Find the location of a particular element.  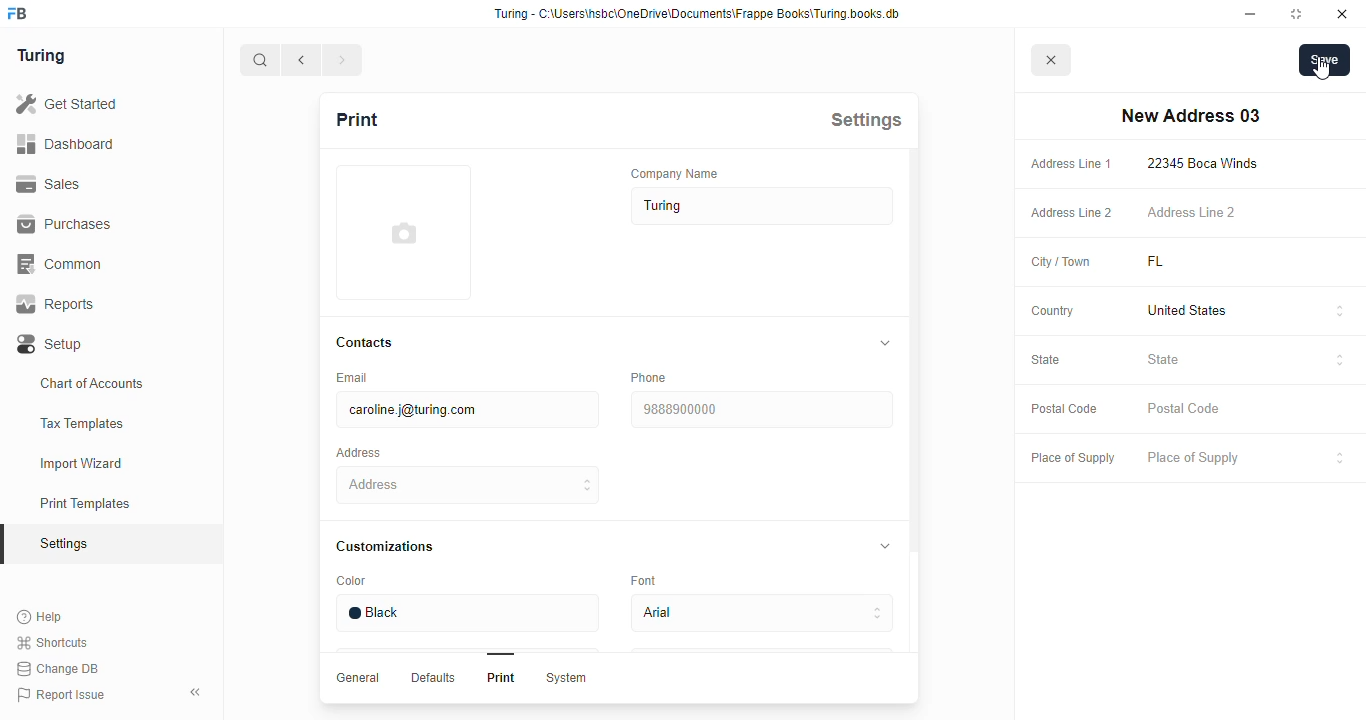

purchases is located at coordinates (64, 224).